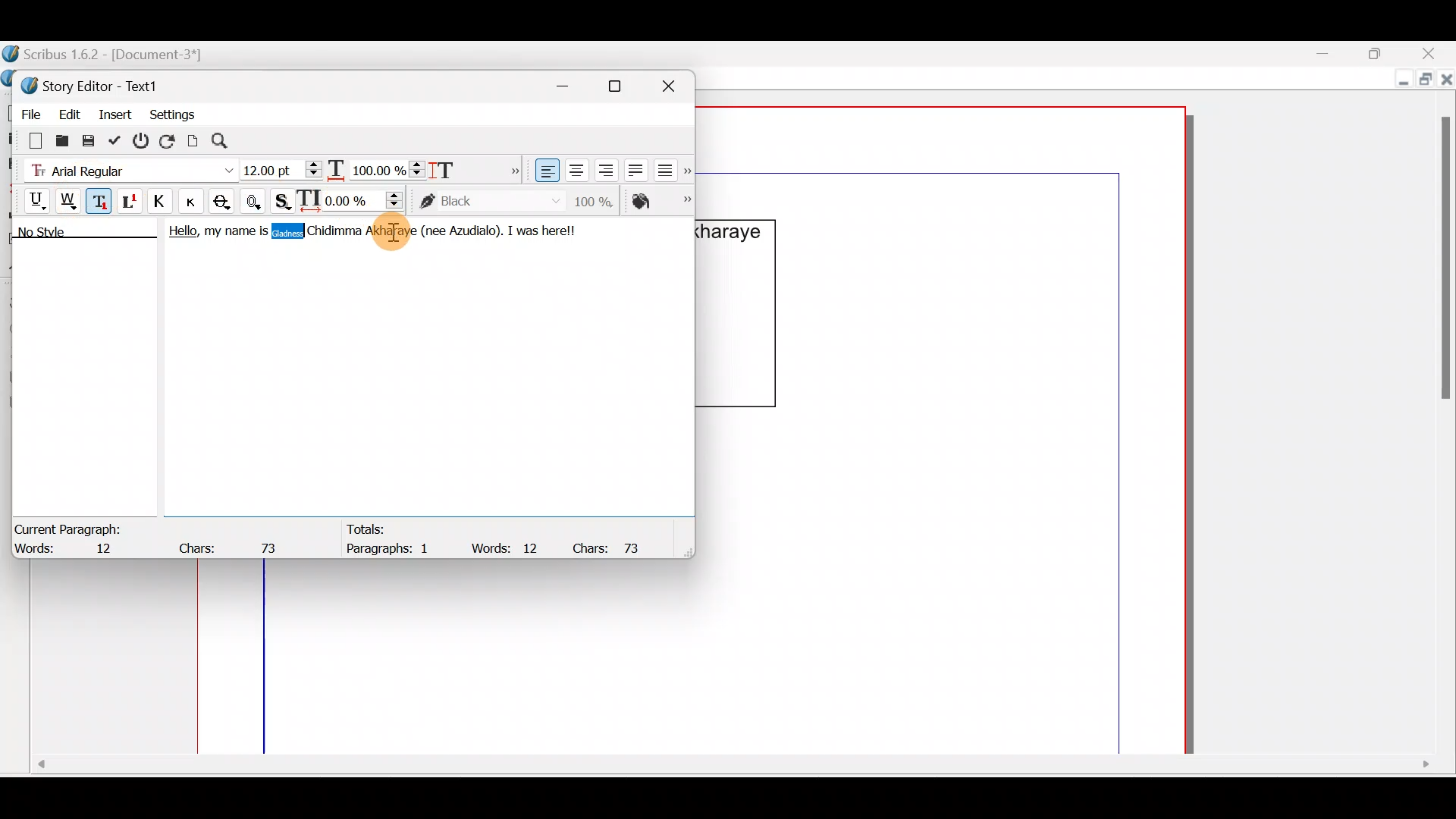 Image resolution: width=1456 pixels, height=819 pixels. I want to click on Scroll bar, so click(730, 770).